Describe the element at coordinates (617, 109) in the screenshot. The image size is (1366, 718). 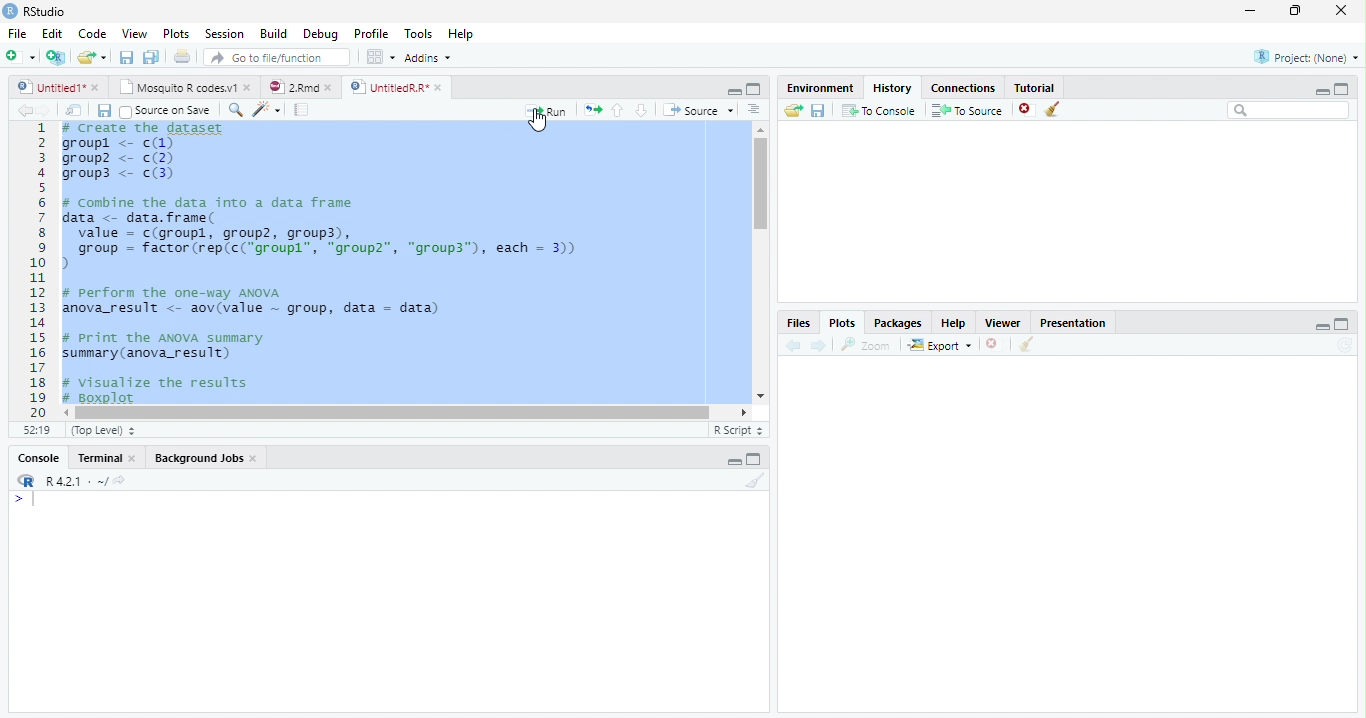
I see `Go to previous section` at that location.